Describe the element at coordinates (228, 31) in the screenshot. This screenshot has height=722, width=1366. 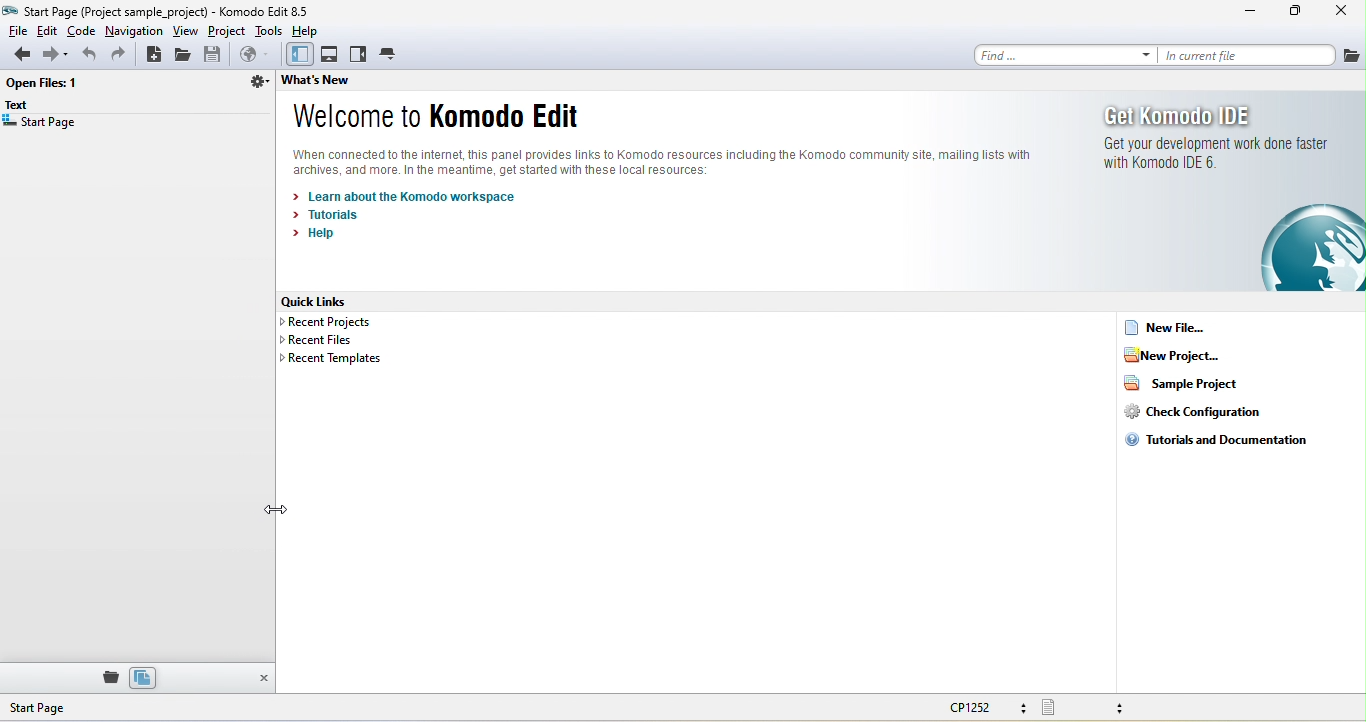
I see `project` at that location.